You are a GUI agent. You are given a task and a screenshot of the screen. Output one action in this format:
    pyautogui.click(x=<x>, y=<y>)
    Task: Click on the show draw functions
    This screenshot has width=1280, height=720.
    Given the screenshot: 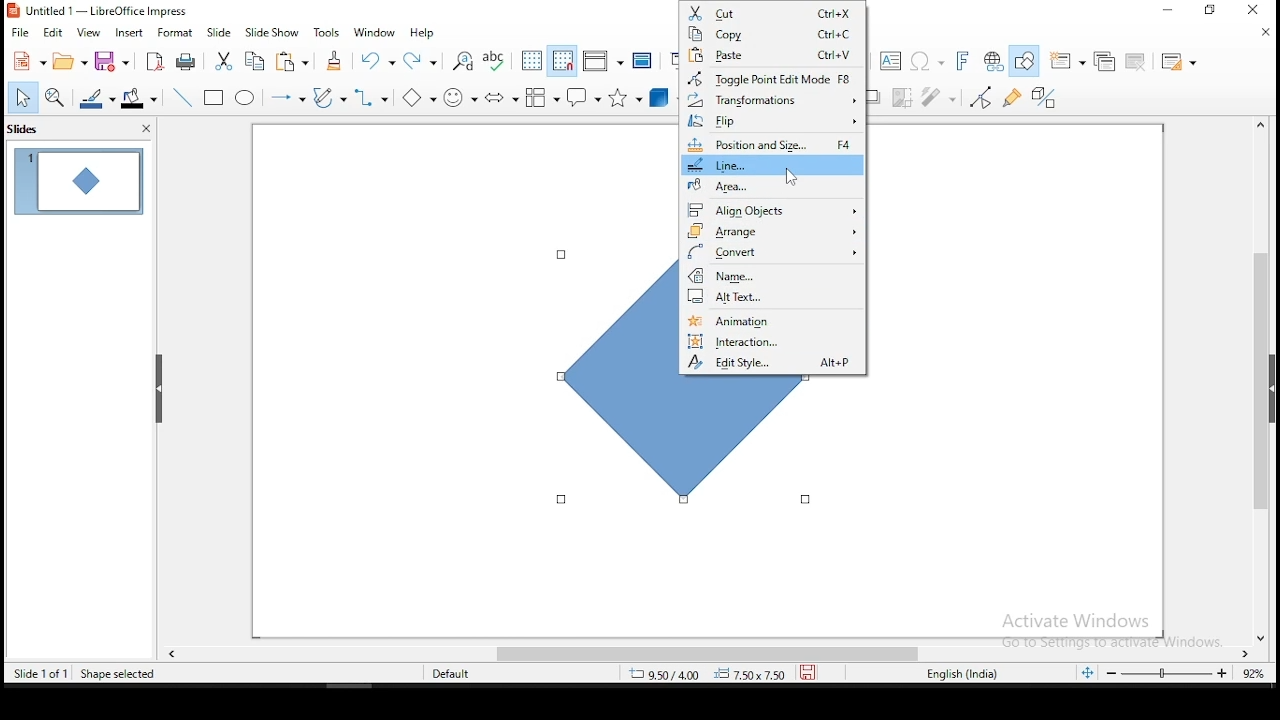 What is the action you would take?
    pyautogui.click(x=1026, y=60)
    